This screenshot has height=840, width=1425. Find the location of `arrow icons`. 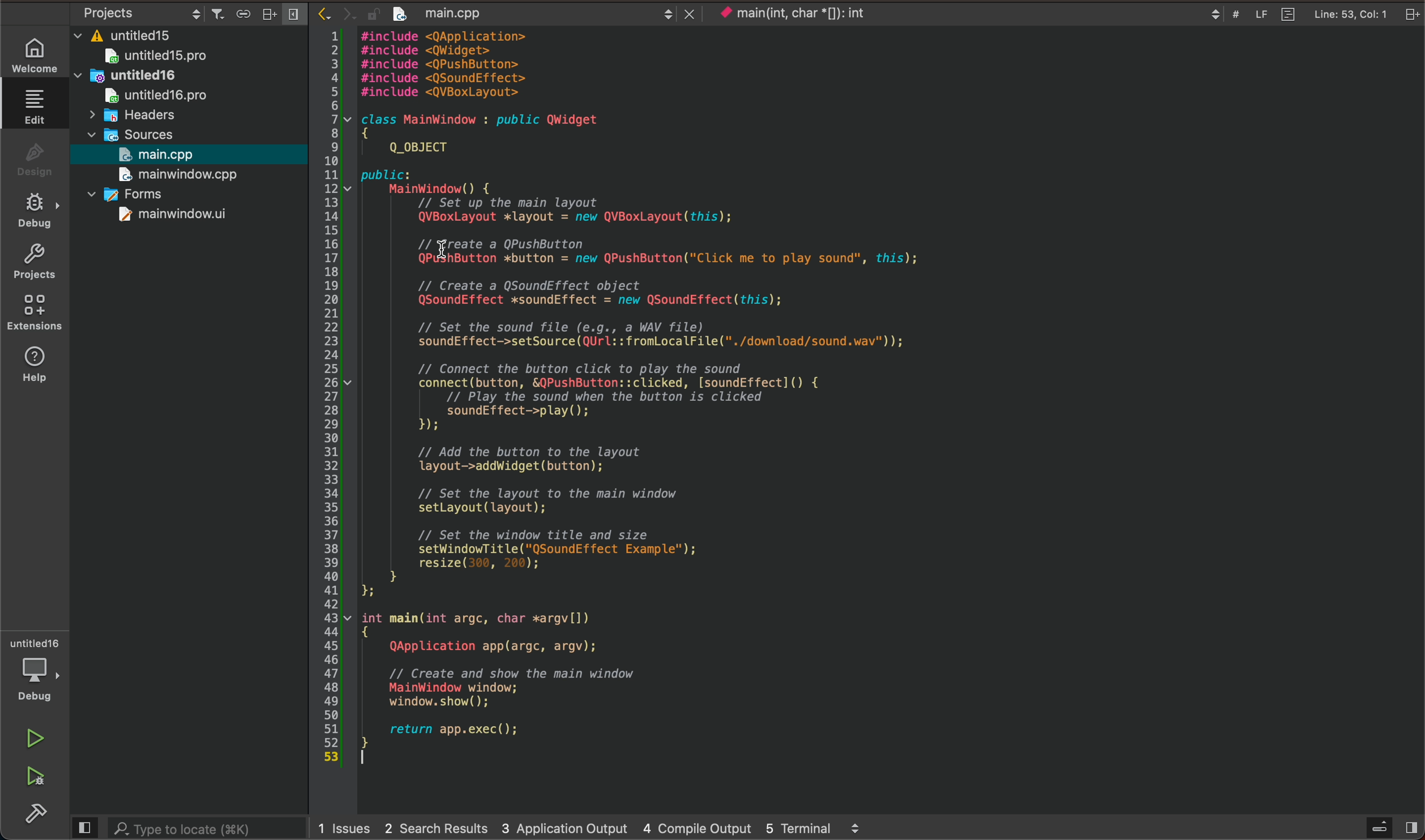

arrow icons is located at coordinates (337, 13).